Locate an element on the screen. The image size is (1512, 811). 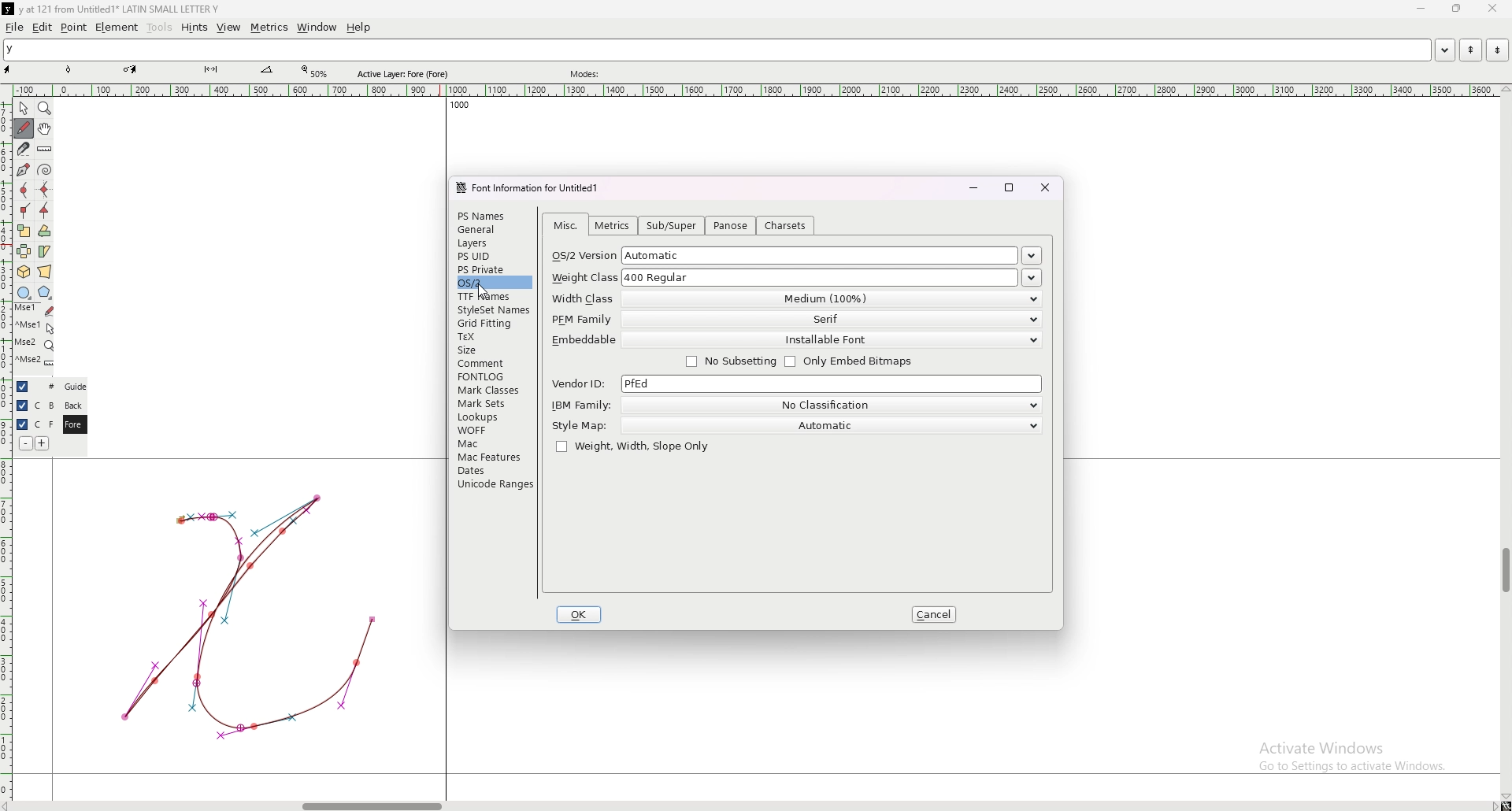
cancel is located at coordinates (934, 614).